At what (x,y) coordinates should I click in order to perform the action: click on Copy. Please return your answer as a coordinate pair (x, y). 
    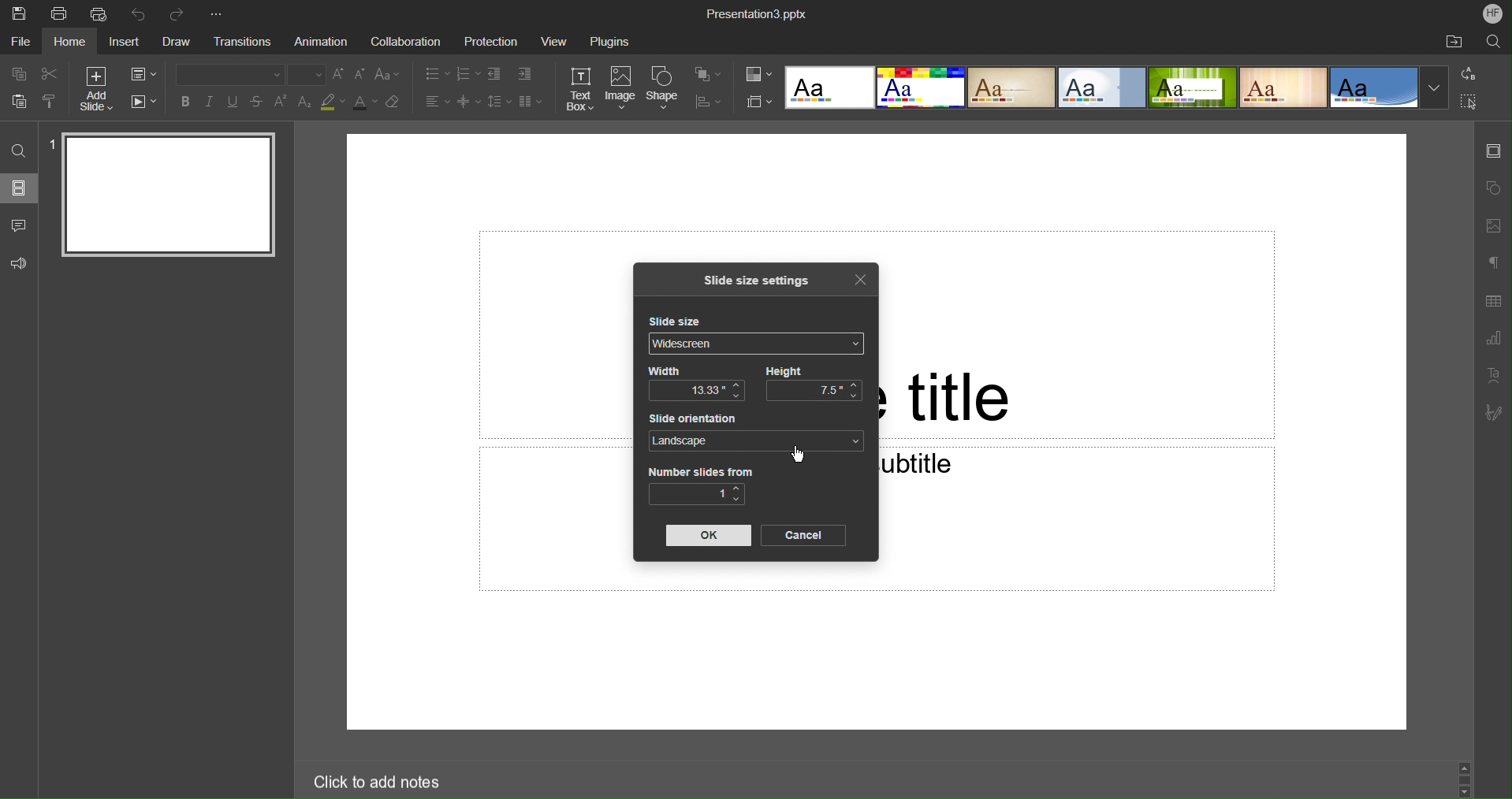
    Looking at the image, I should click on (16, 73).